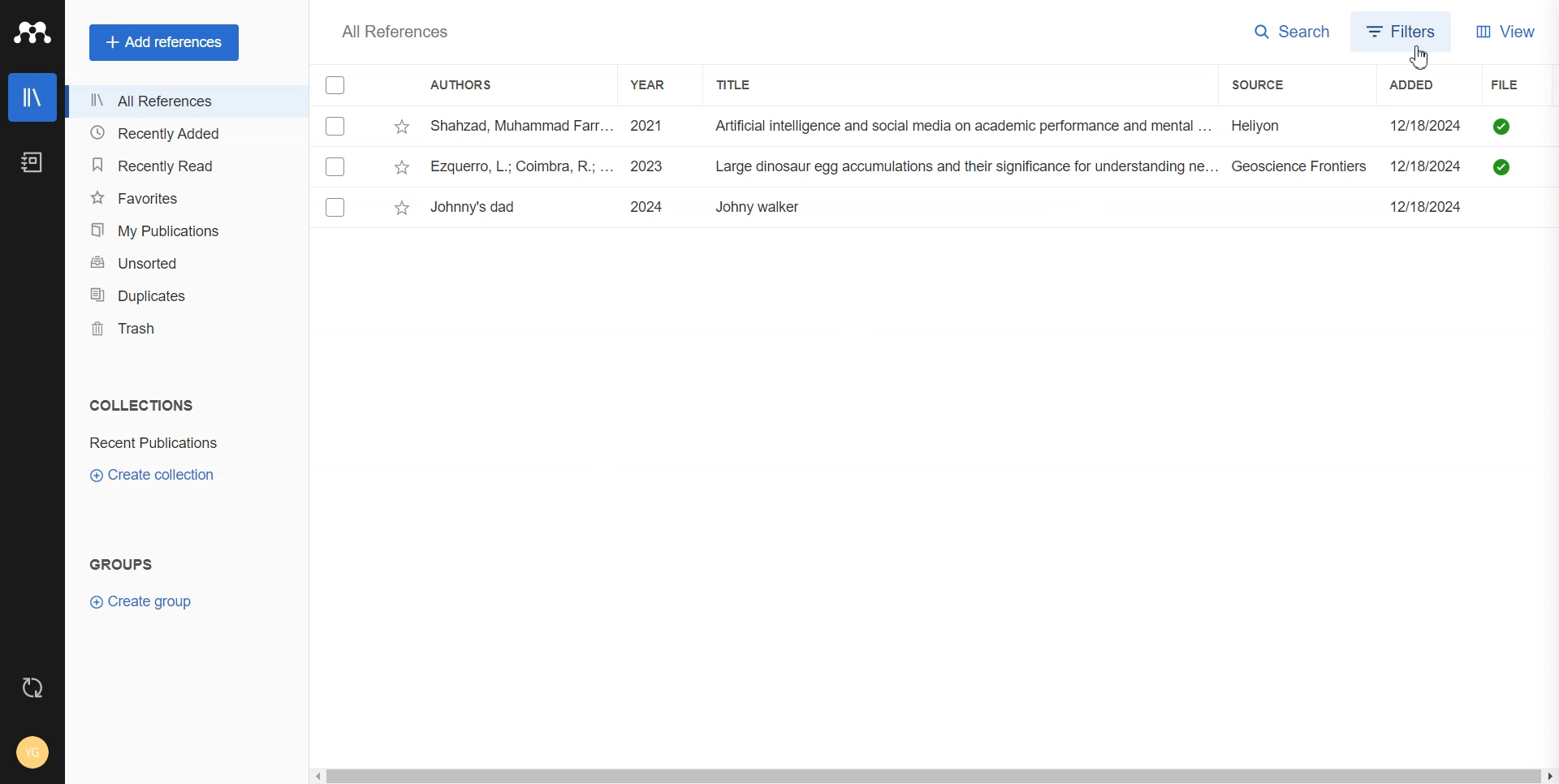 Image resolution: width=1559 pixels, height=784 pixels. Describe the element at coordinates (138, 405) in the screenshot. I see `Collections` at that location.